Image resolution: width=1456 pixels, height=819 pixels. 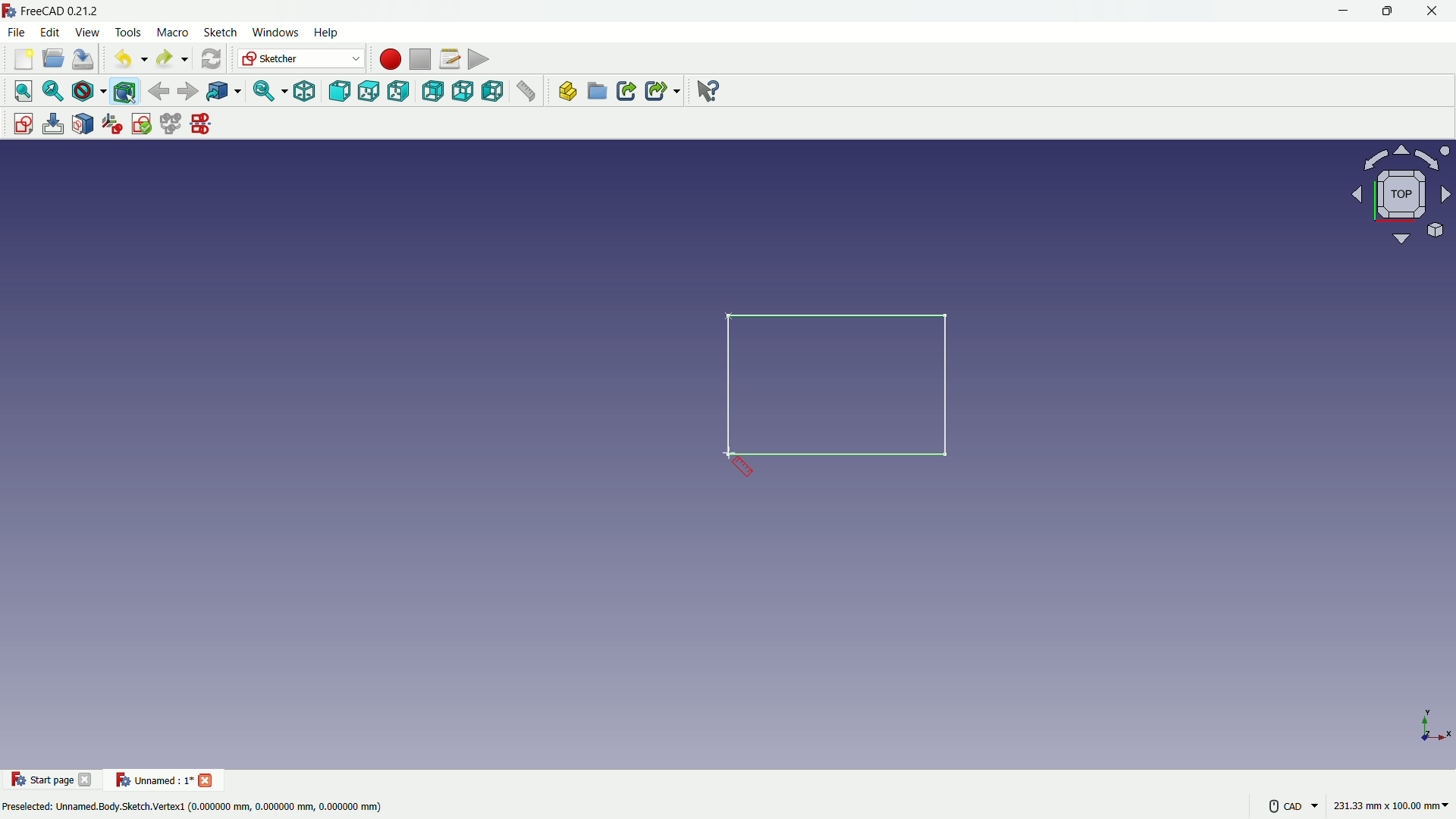 I want to click on edit menu, so click(x=50, y=32).